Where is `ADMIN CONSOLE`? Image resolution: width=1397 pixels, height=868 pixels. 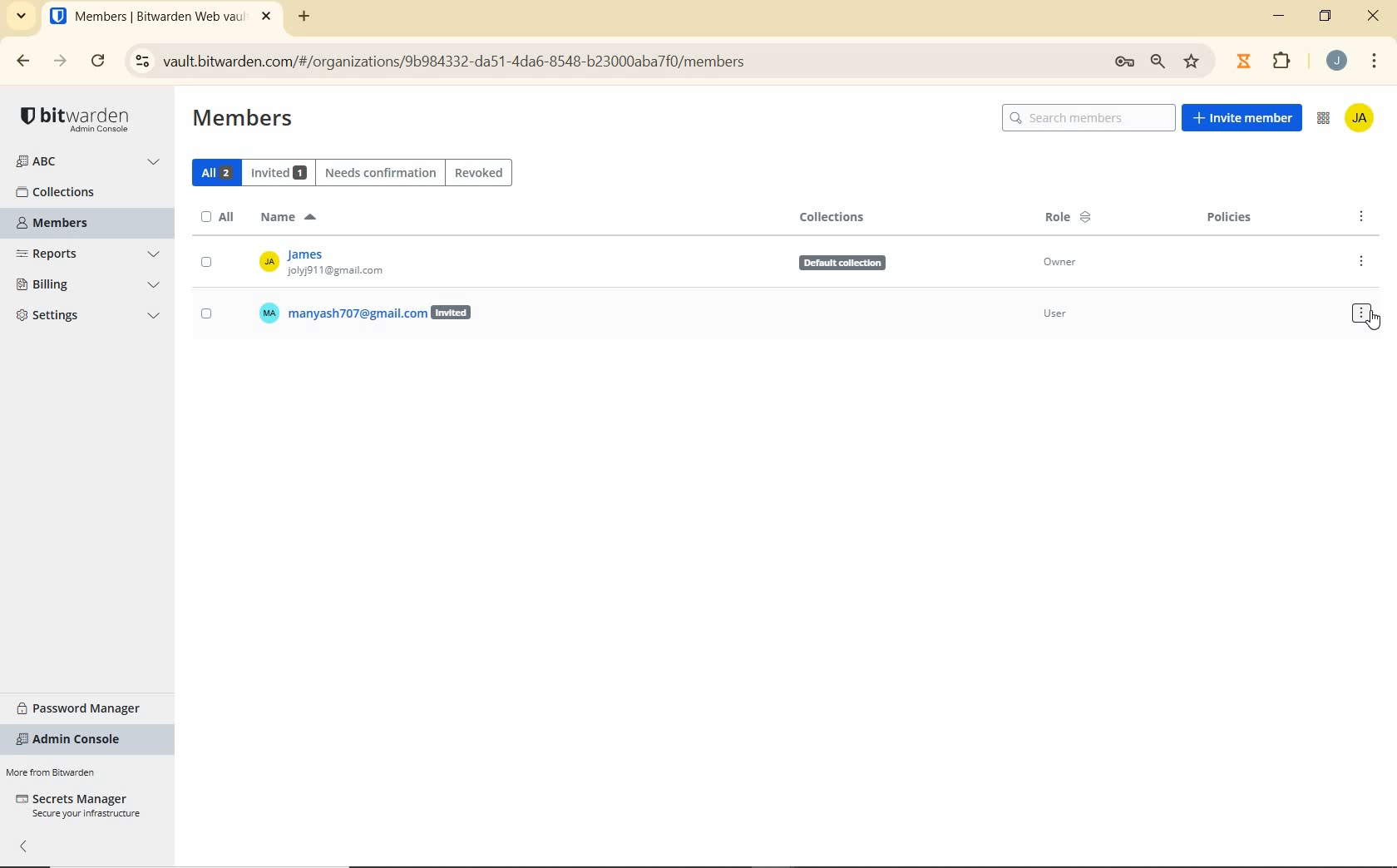 ADMIN CONSOLE is located at coordinates (1323, 121).